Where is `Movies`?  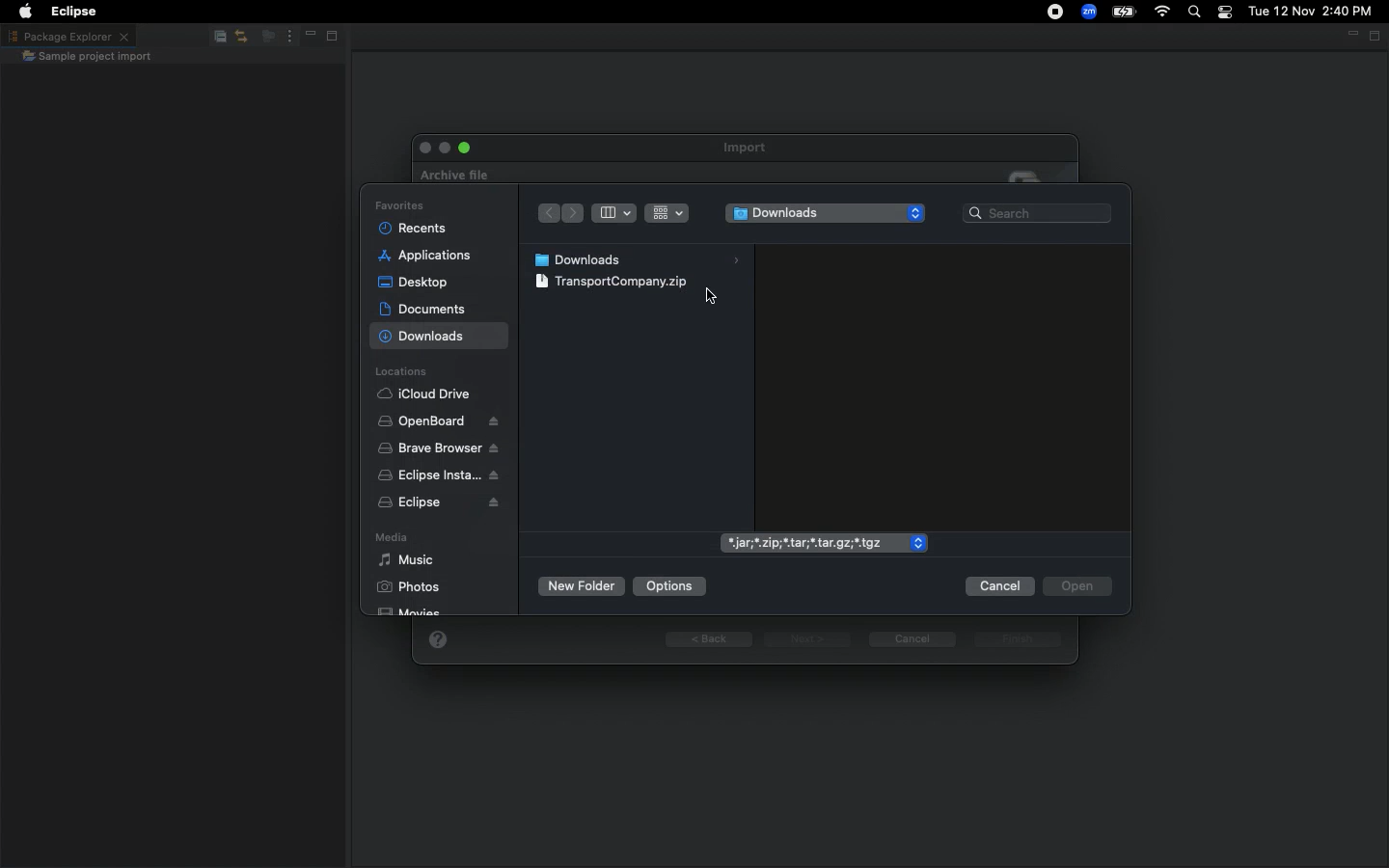
Movies is located at coordinates (418, 612).